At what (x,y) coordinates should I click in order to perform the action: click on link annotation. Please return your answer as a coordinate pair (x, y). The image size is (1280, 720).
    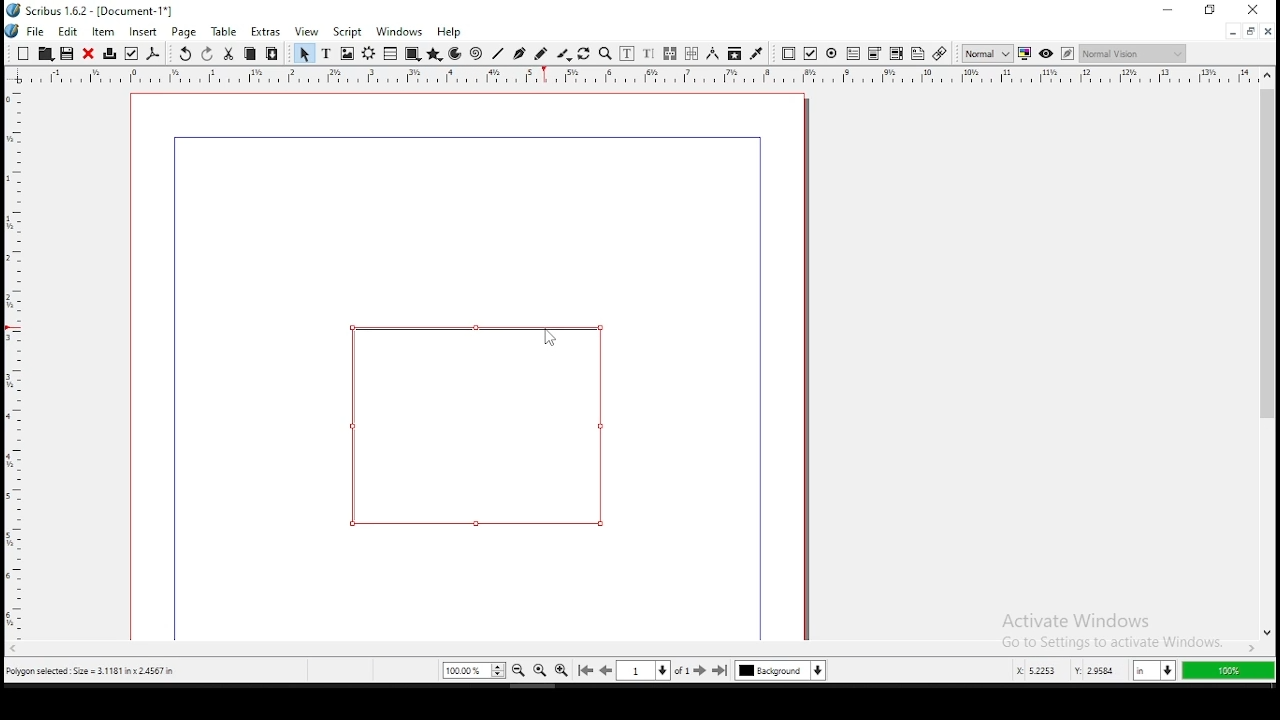
    Looking at the image, I should click on (939, 53).